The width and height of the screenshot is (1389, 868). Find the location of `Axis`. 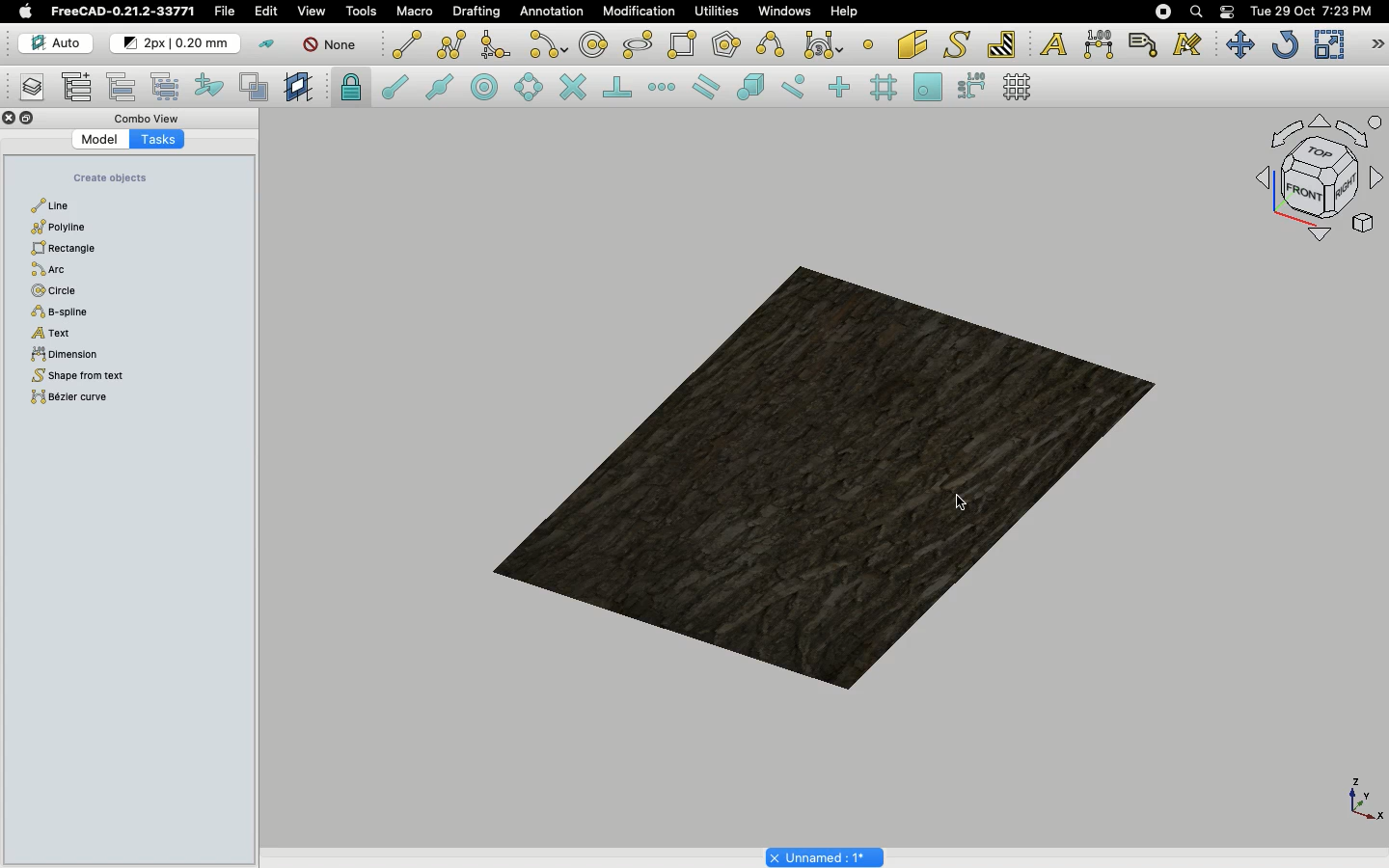

Axis is located at coordinates (1362, 799).